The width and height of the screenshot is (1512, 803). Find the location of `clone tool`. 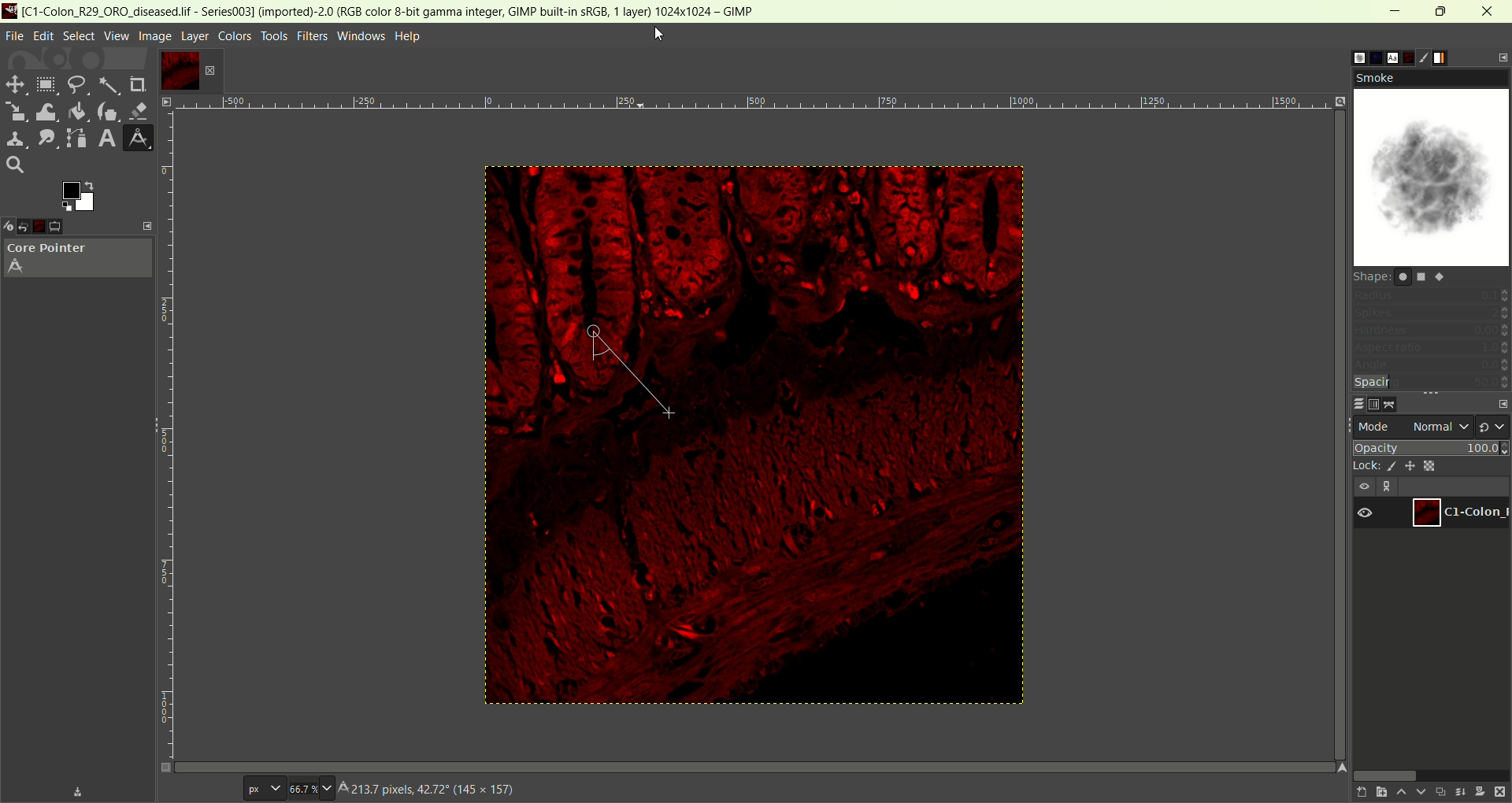

clone tool is located at coordinates (13, 139).